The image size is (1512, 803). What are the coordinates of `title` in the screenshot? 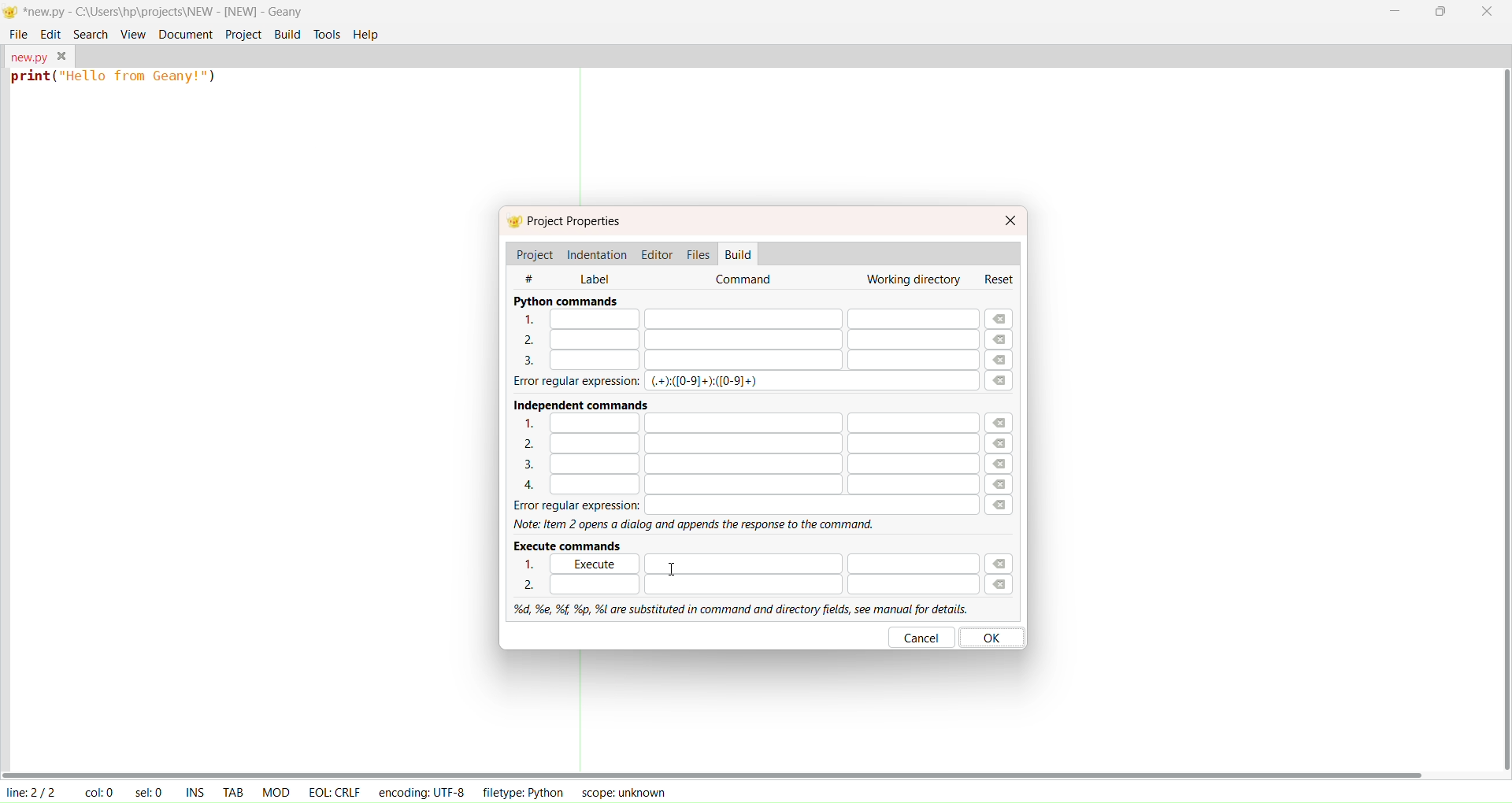 It's located at (164, 11).